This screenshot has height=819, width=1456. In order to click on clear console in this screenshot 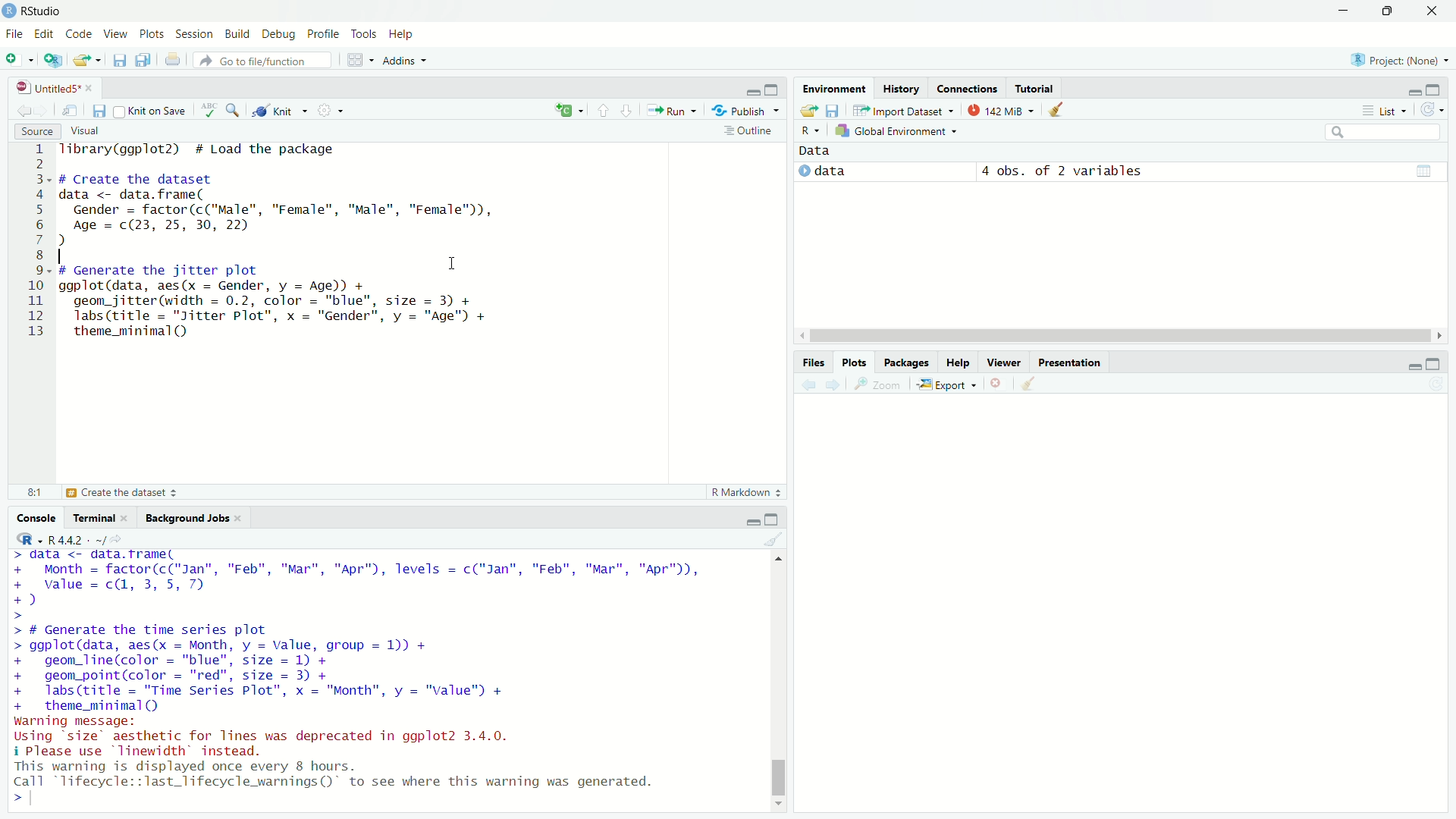, I will do `click(774, 539)`.